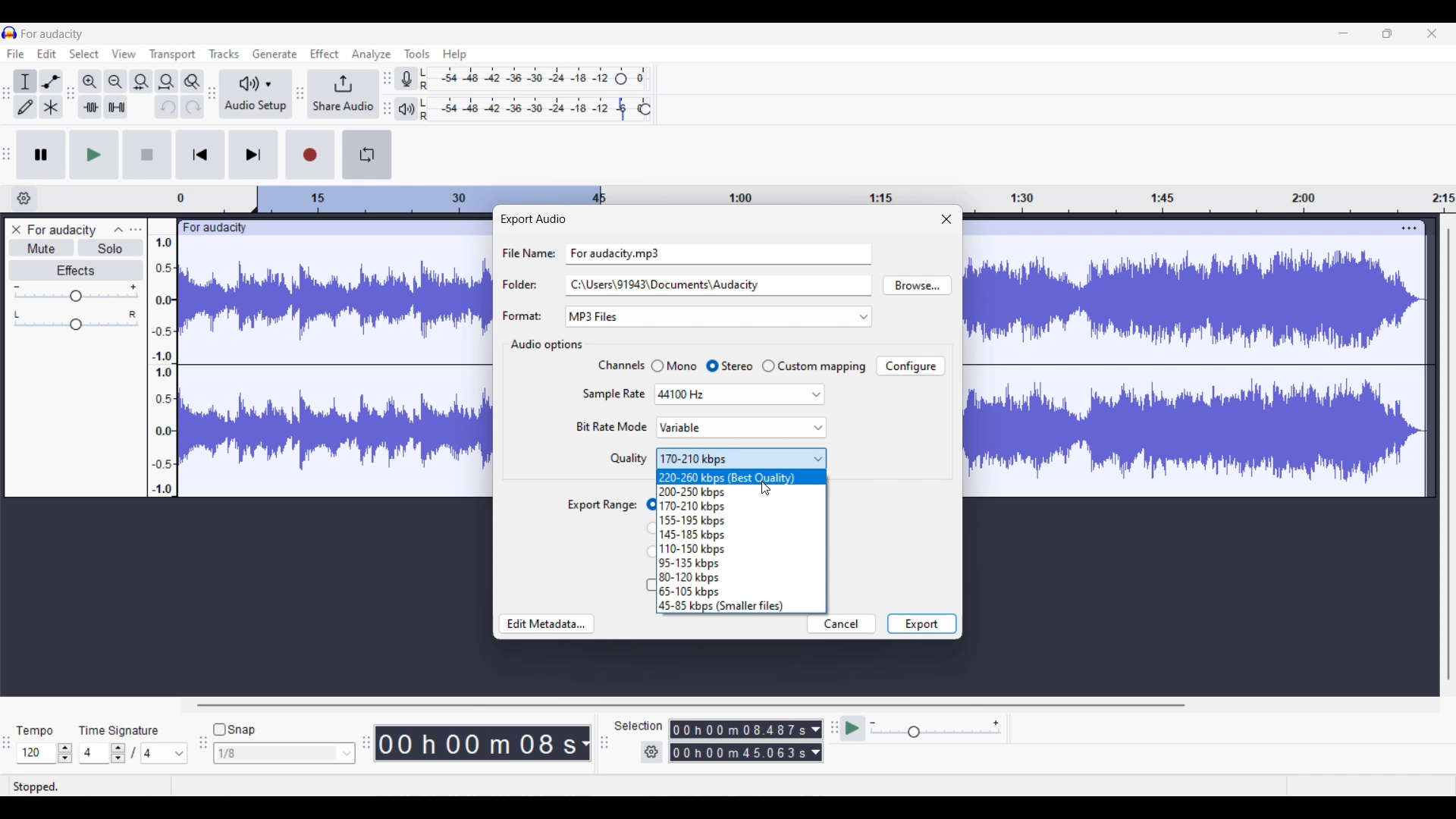 This screenshot has height=819, width=1456. Describe the element at coordinates (93, 753) in the screenshot. I see `Input time signature` at that location.